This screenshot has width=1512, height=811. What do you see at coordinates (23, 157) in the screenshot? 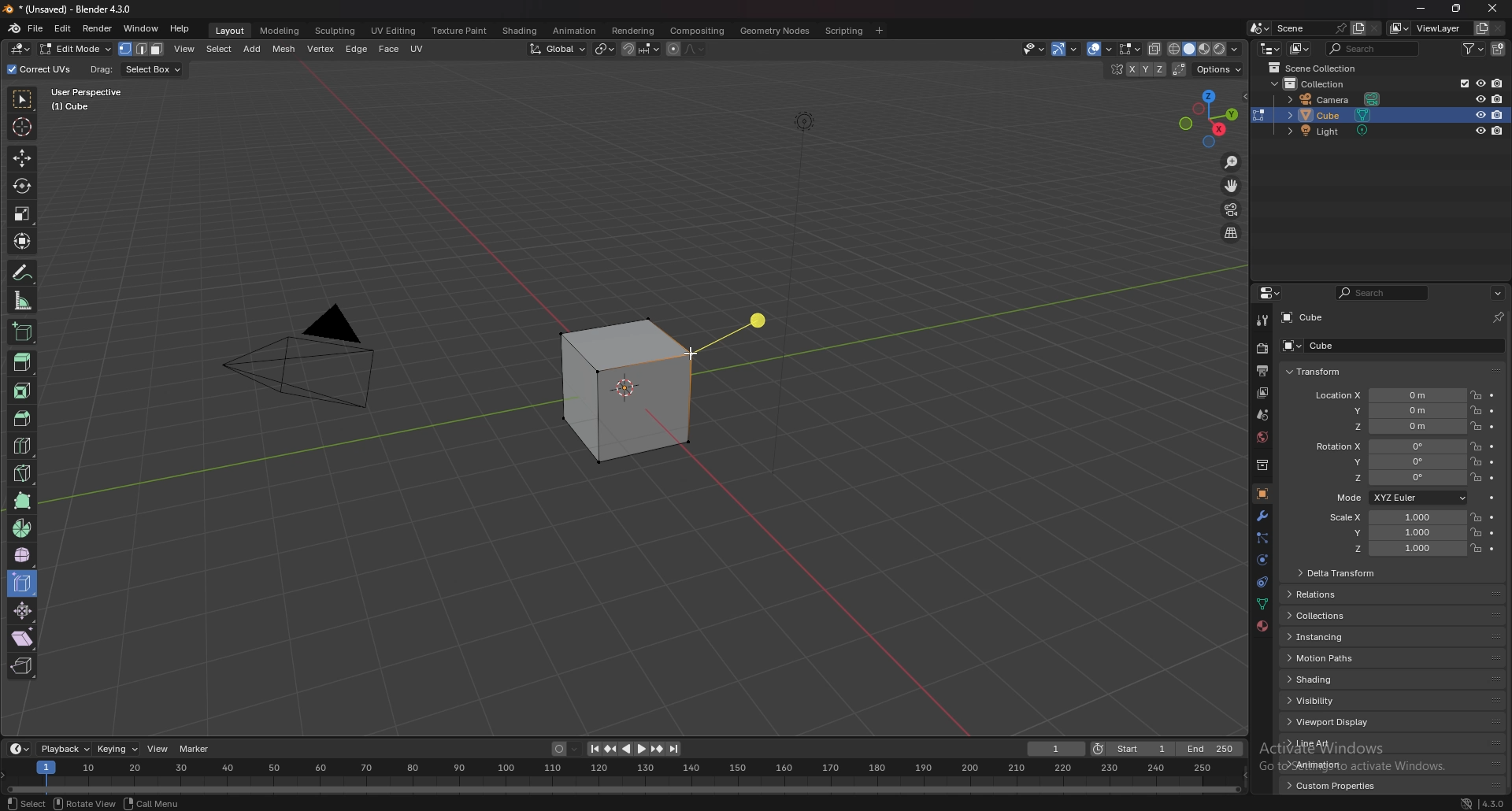
I see `move` at bounding box center [23, 157].